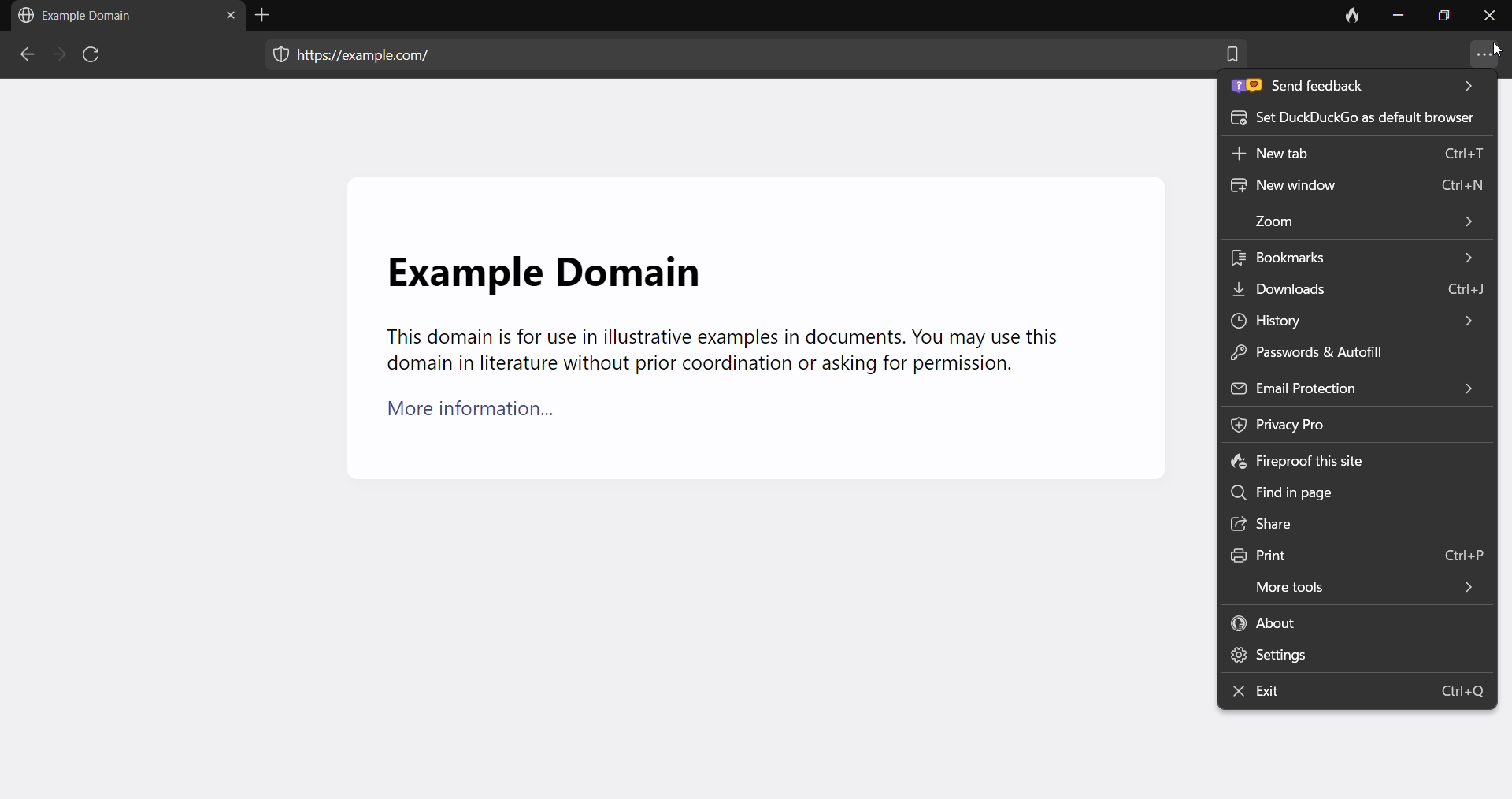 Image resolution: width=1512 pixels, height=799 pixels. Describe the element at coordinates (266, 15) in the screenshot. I see `add tab` at that location.